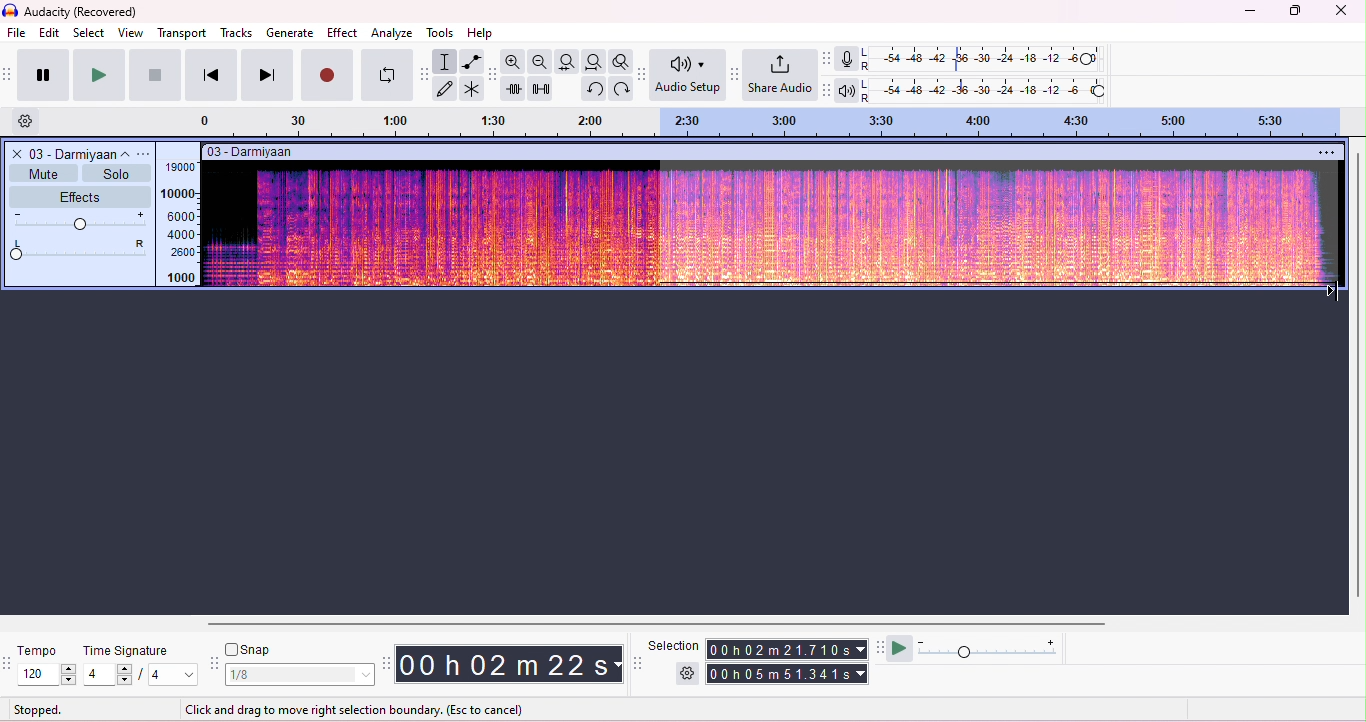 The width and height of the screenshot is (1366, 722). What do you see at coordinates (97, 75) in the screenshot?
I see `play` at bounding box center [97, 75].